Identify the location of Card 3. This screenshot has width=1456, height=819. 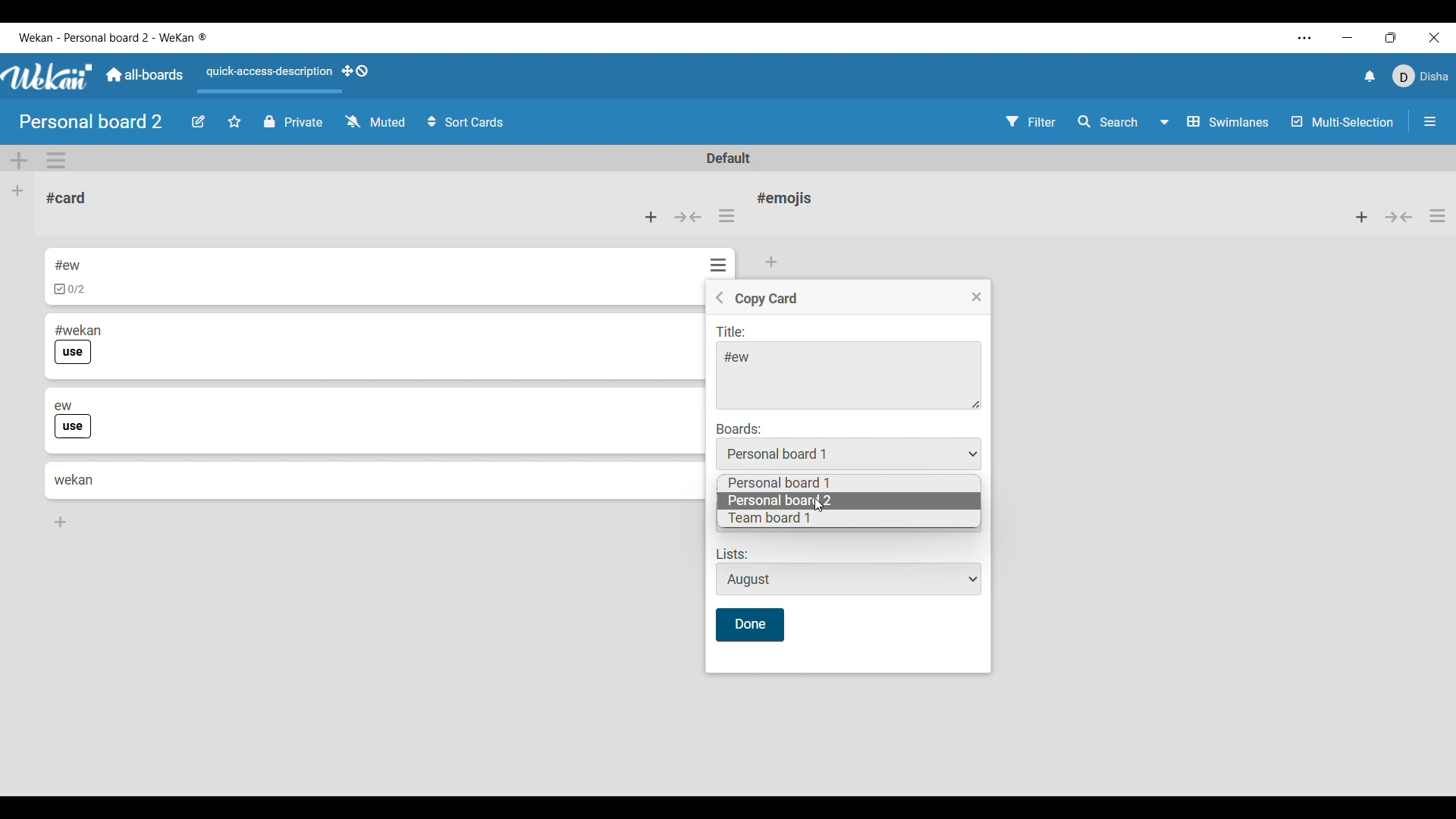
(167, 399).